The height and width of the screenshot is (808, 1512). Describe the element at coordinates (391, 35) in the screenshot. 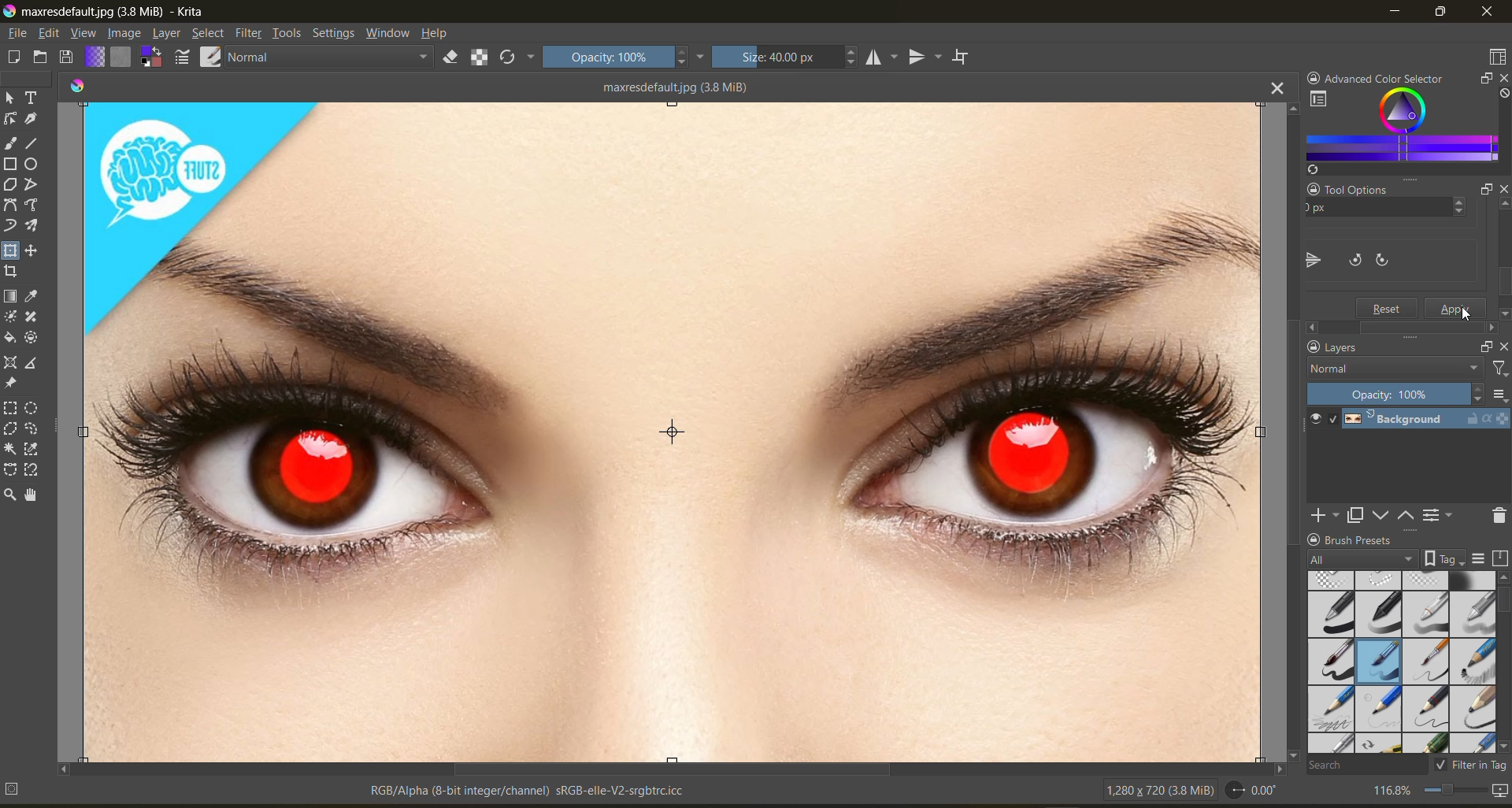

I see `window` at that location.